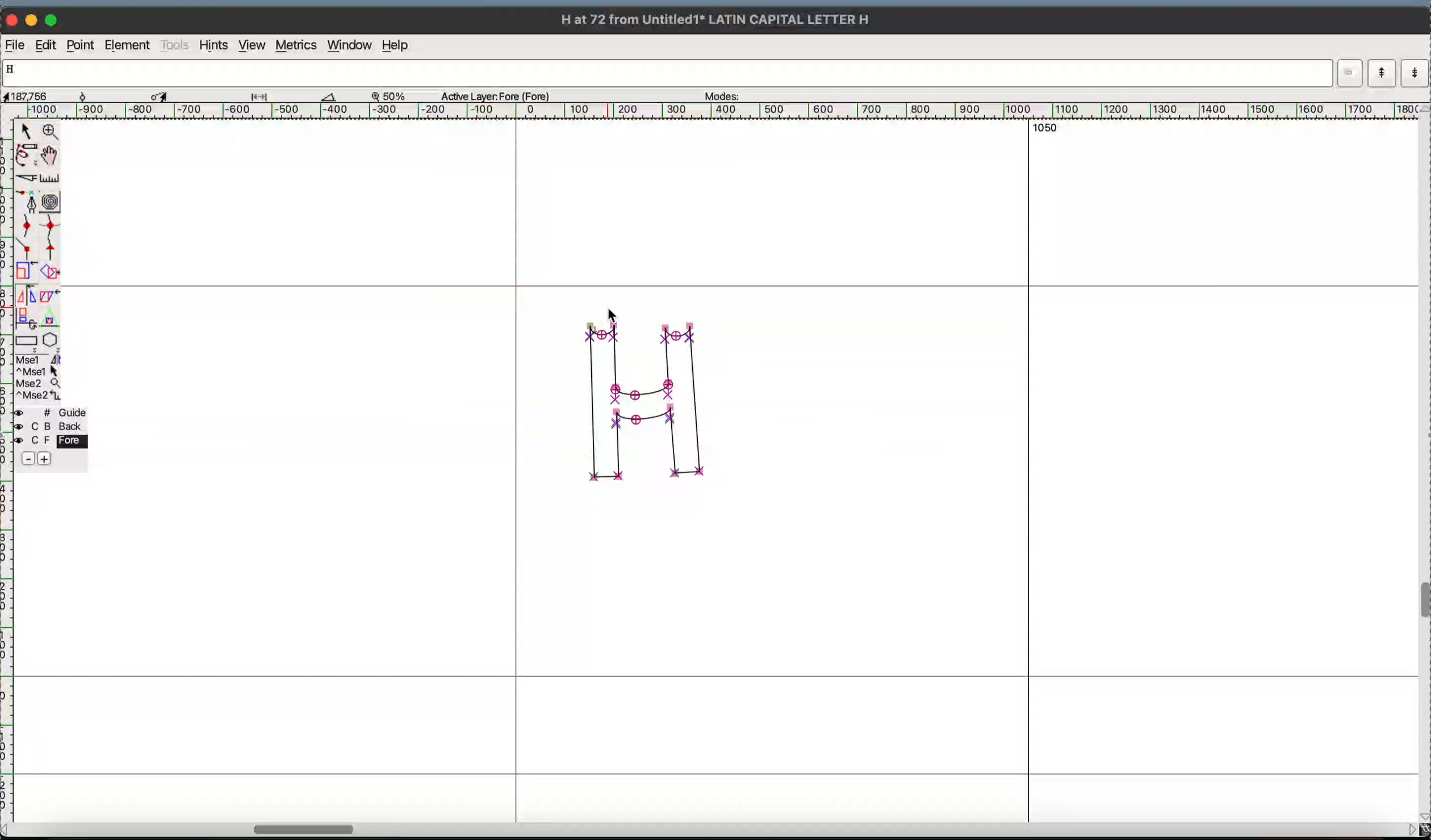  What do you see at coordinates (27, 178) in the screenshot?
I see `knife` at bounding box center [27, 178].